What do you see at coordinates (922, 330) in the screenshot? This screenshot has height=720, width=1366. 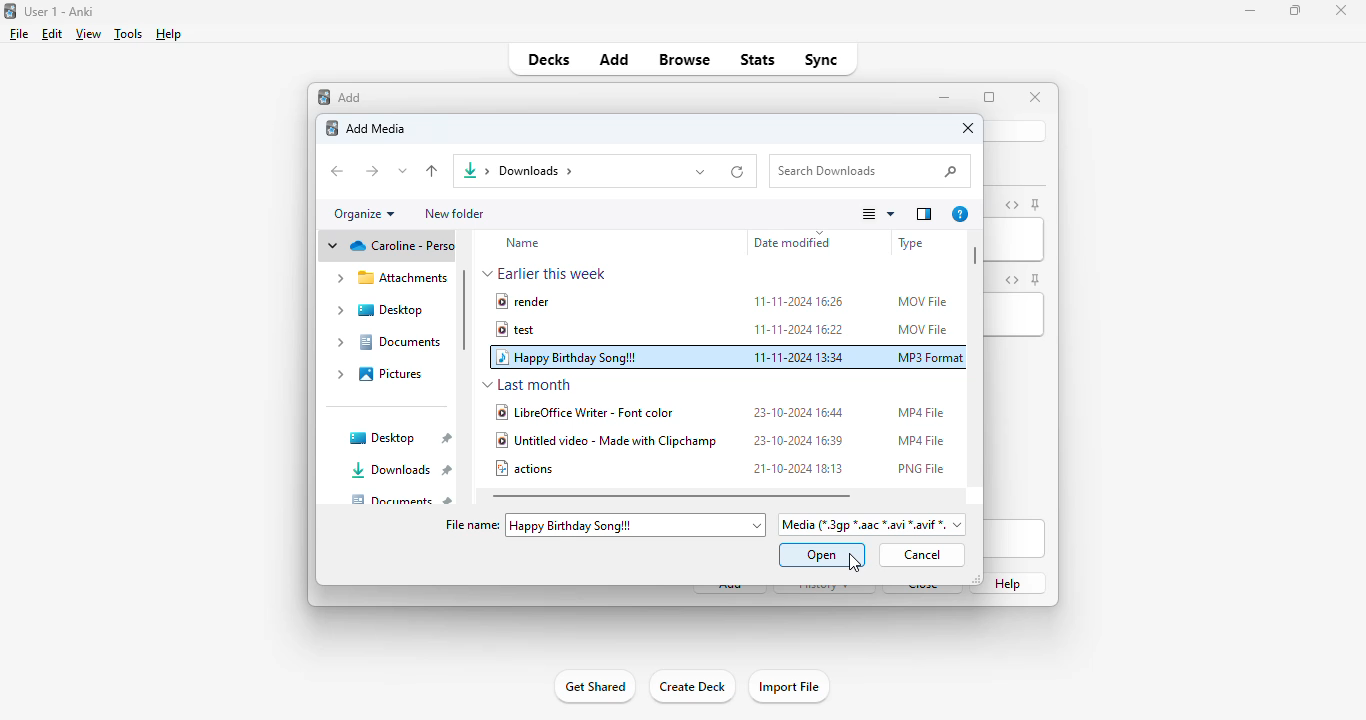 I see `MOV file` at bounding box center [922, 330].